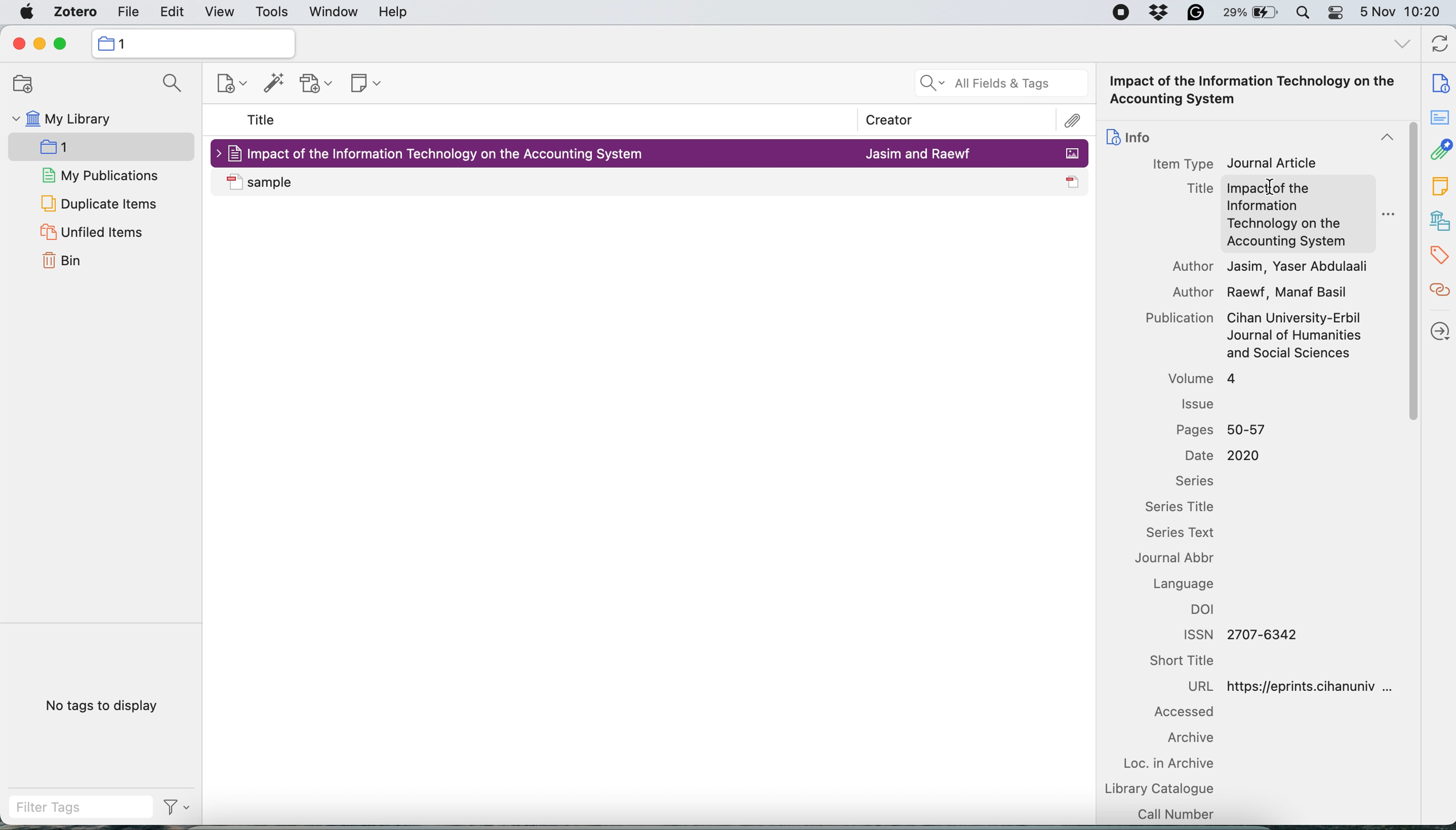  I want to click on loc in archive, so click(1175, 762).